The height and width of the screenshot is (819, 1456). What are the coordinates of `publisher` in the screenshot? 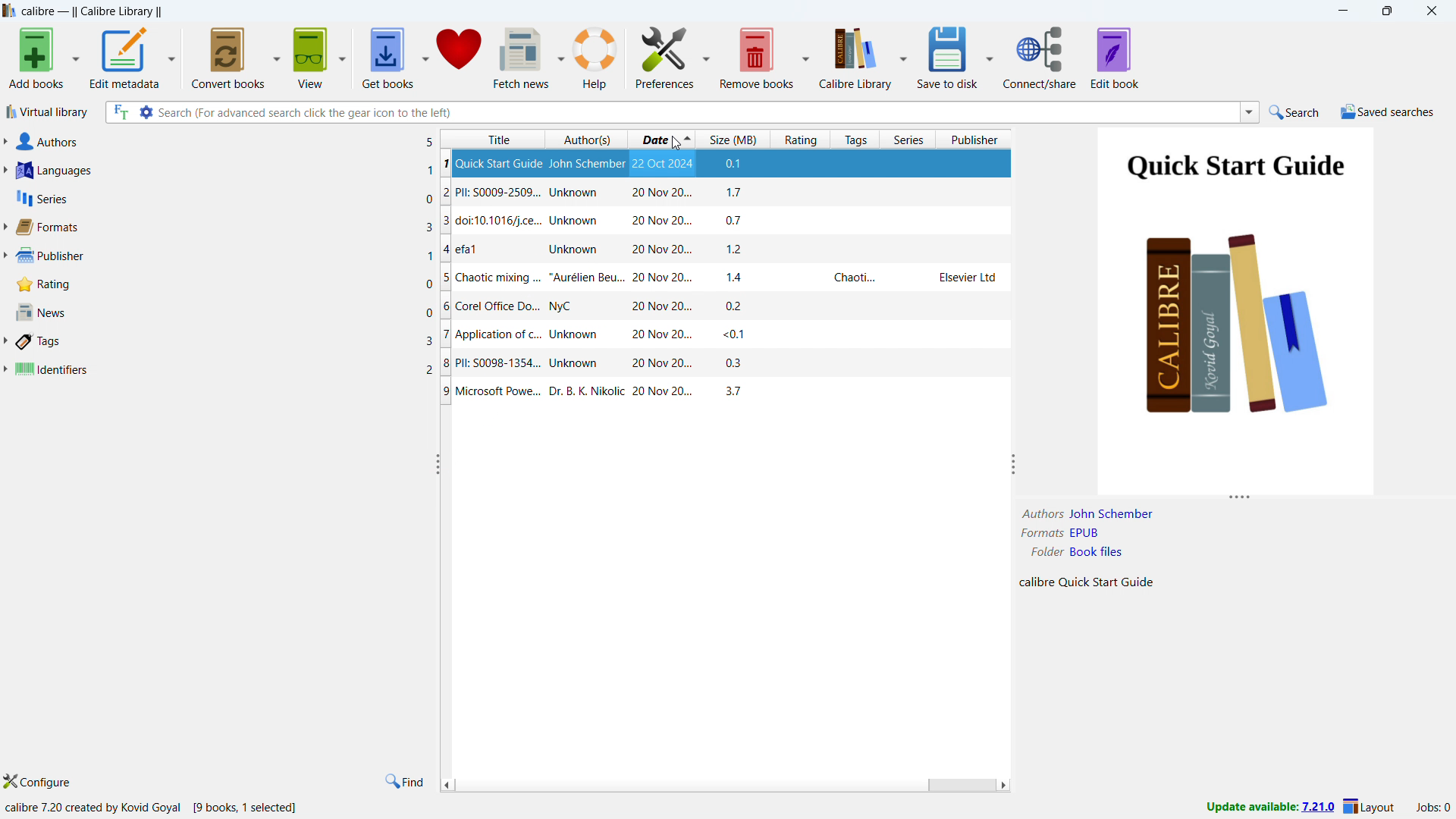 It's located at (977, 139).